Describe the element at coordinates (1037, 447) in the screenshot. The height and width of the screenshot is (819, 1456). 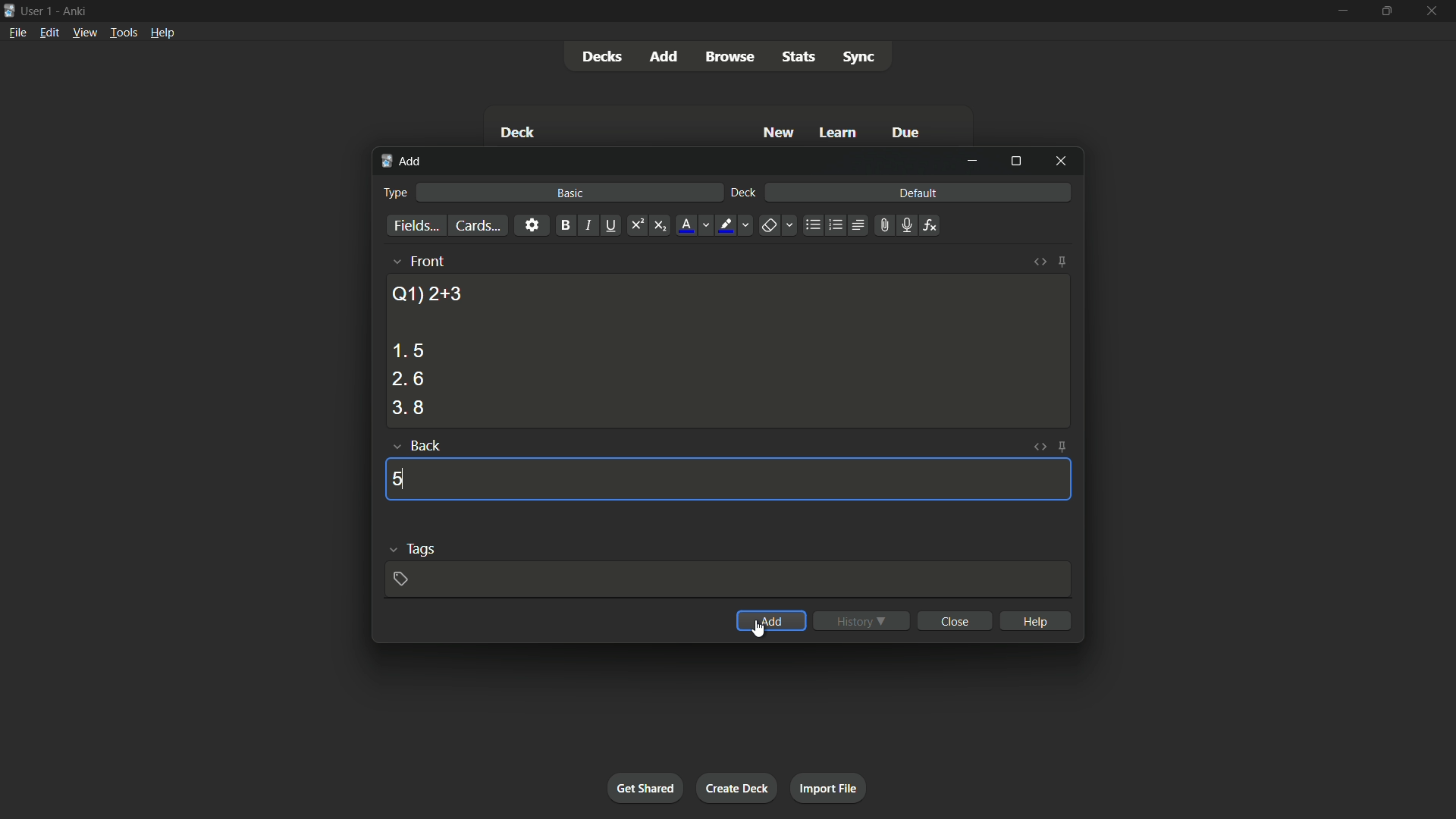
I see `toggle html editor` at that location.